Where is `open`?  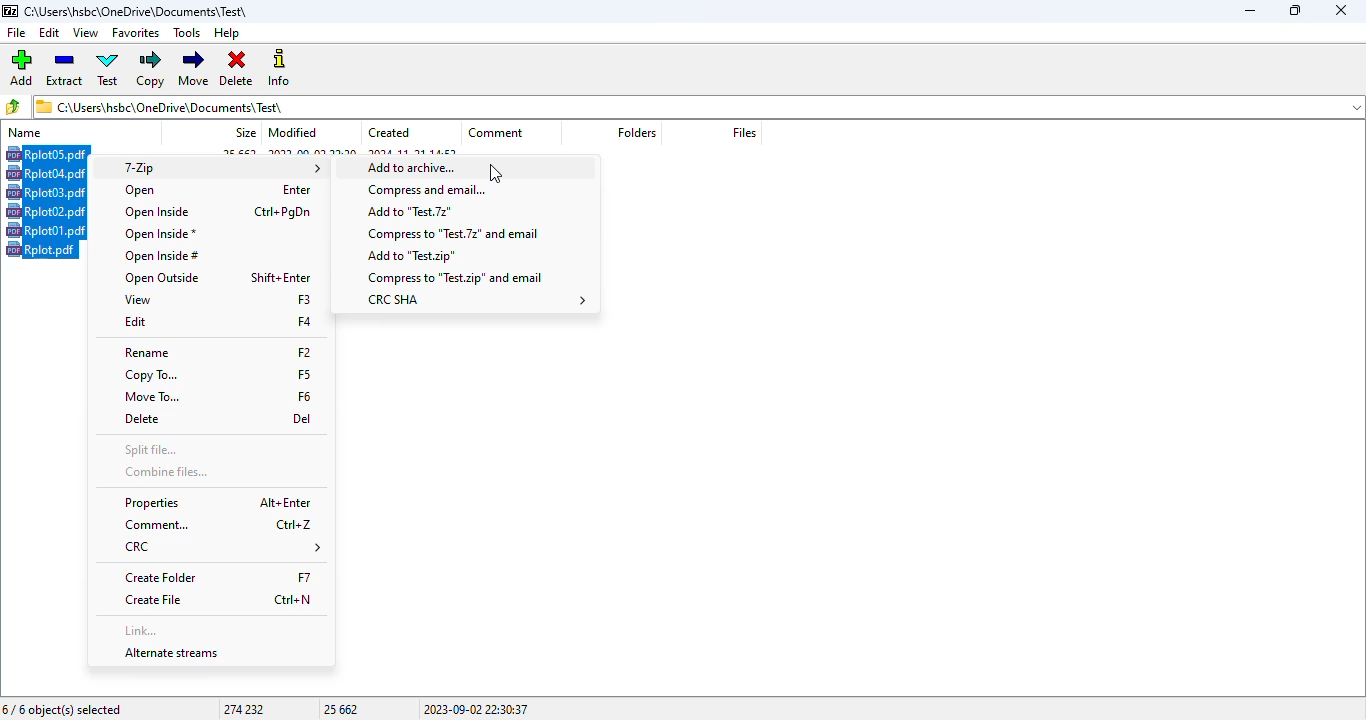 open is located at coordinates (220, 191).